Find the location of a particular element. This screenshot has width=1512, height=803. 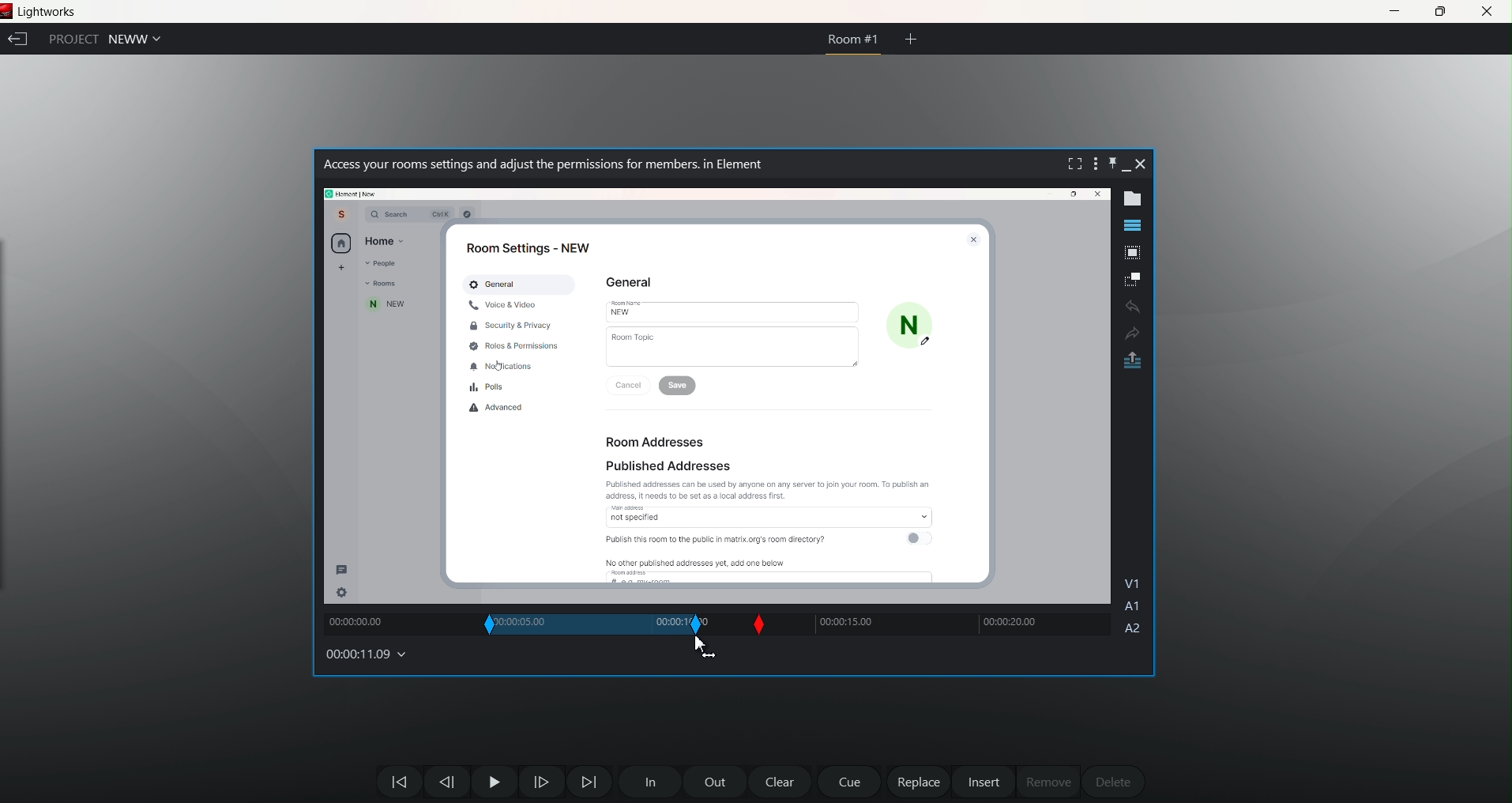

remove is located at coordinates (1046, 780).